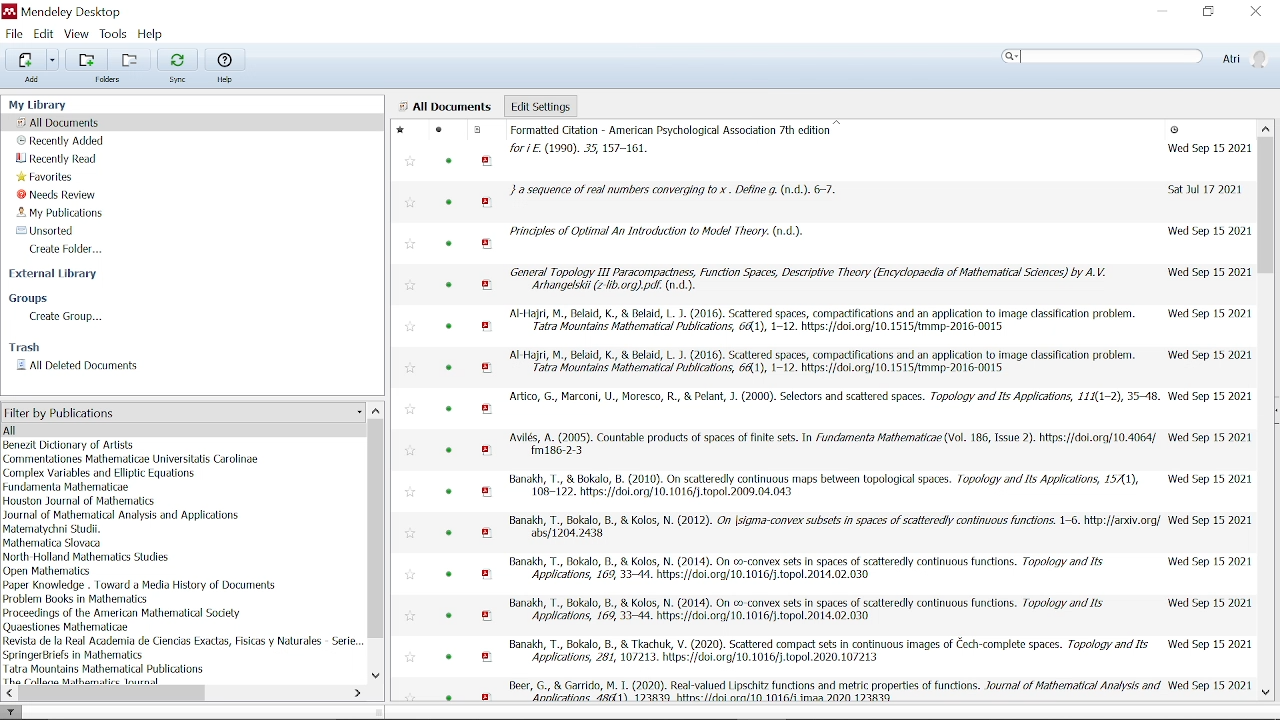 The image size is (1280, 720). Describe the element at coordinates (834, 527) in the screenshot. I see `citation` at that location.